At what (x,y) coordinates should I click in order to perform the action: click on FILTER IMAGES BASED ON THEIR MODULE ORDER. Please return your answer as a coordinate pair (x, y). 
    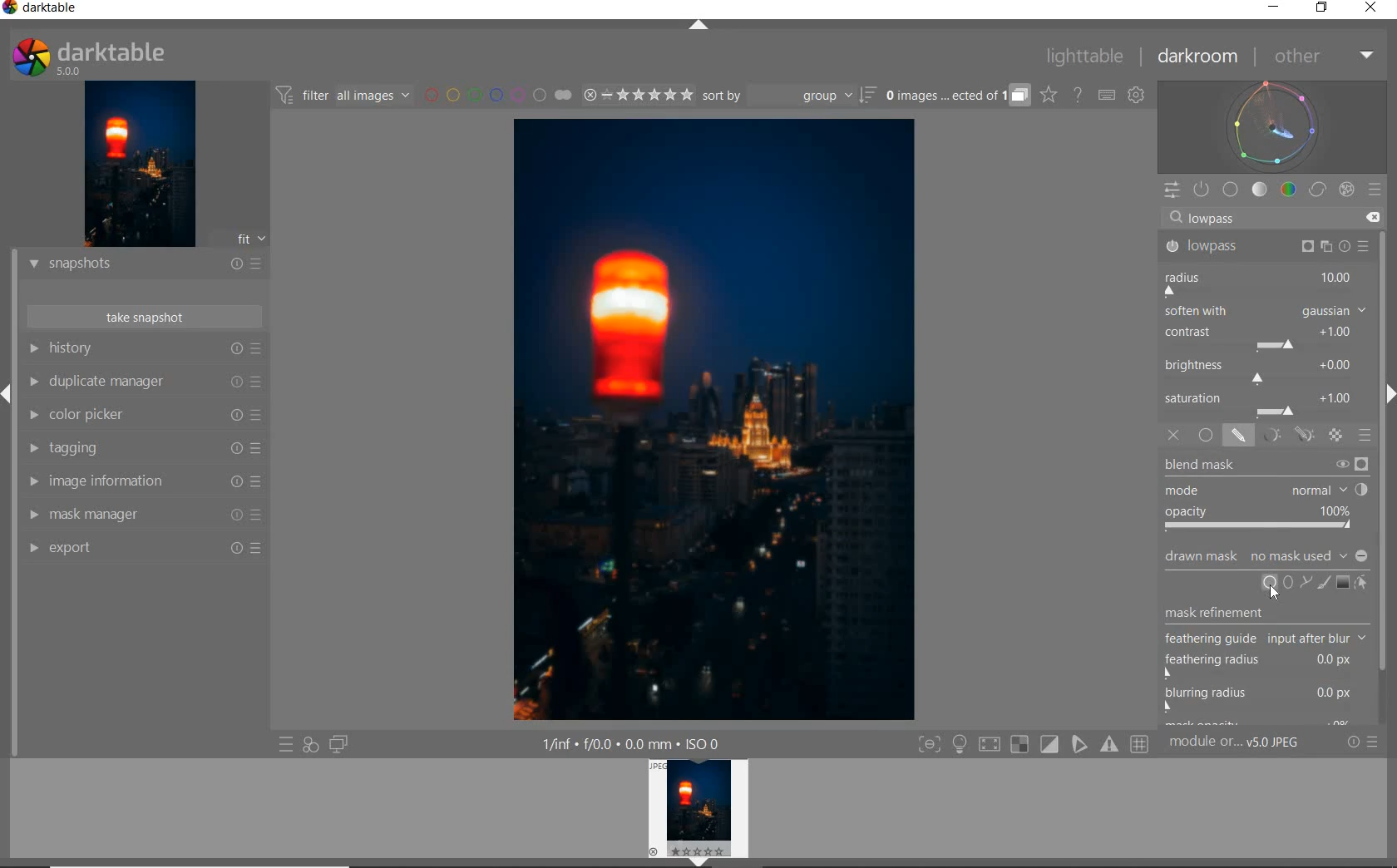
    Looking at the image, I should click on (345, 96).